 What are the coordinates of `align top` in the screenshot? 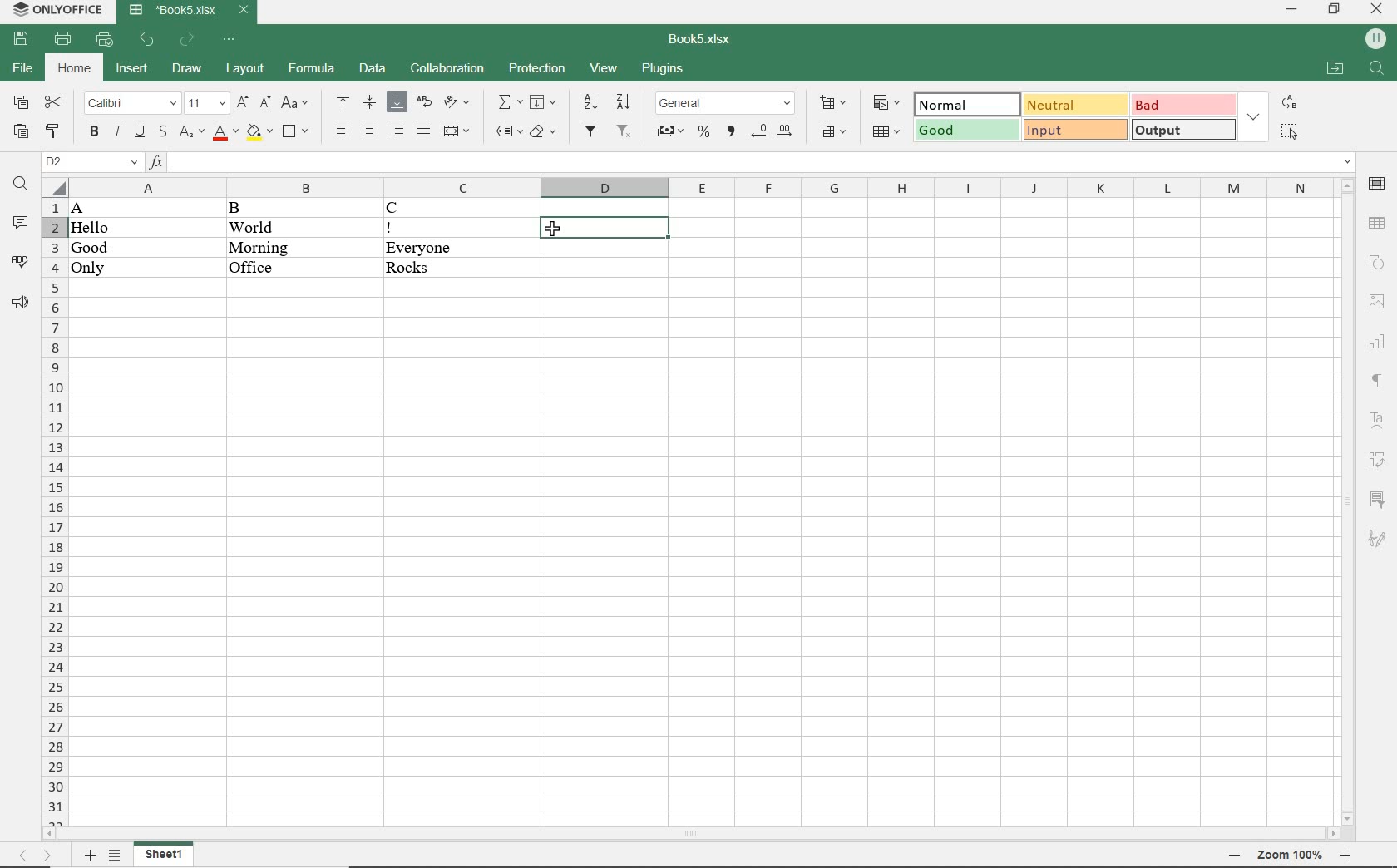 It's located at (344, 103).